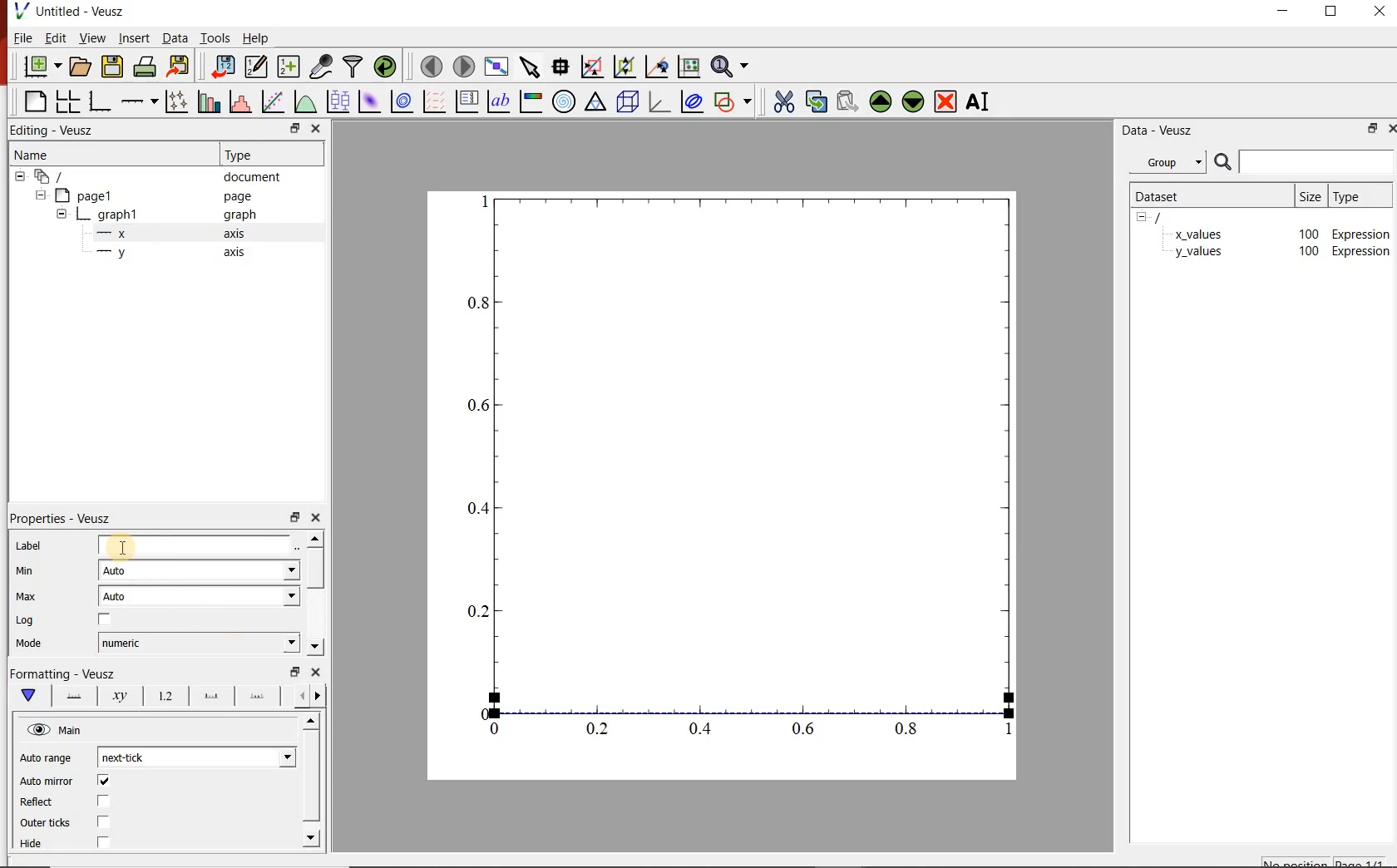  Describe the element at coordinates (140, 101) in the screenshot. I see `add axis on the plot` at that location.